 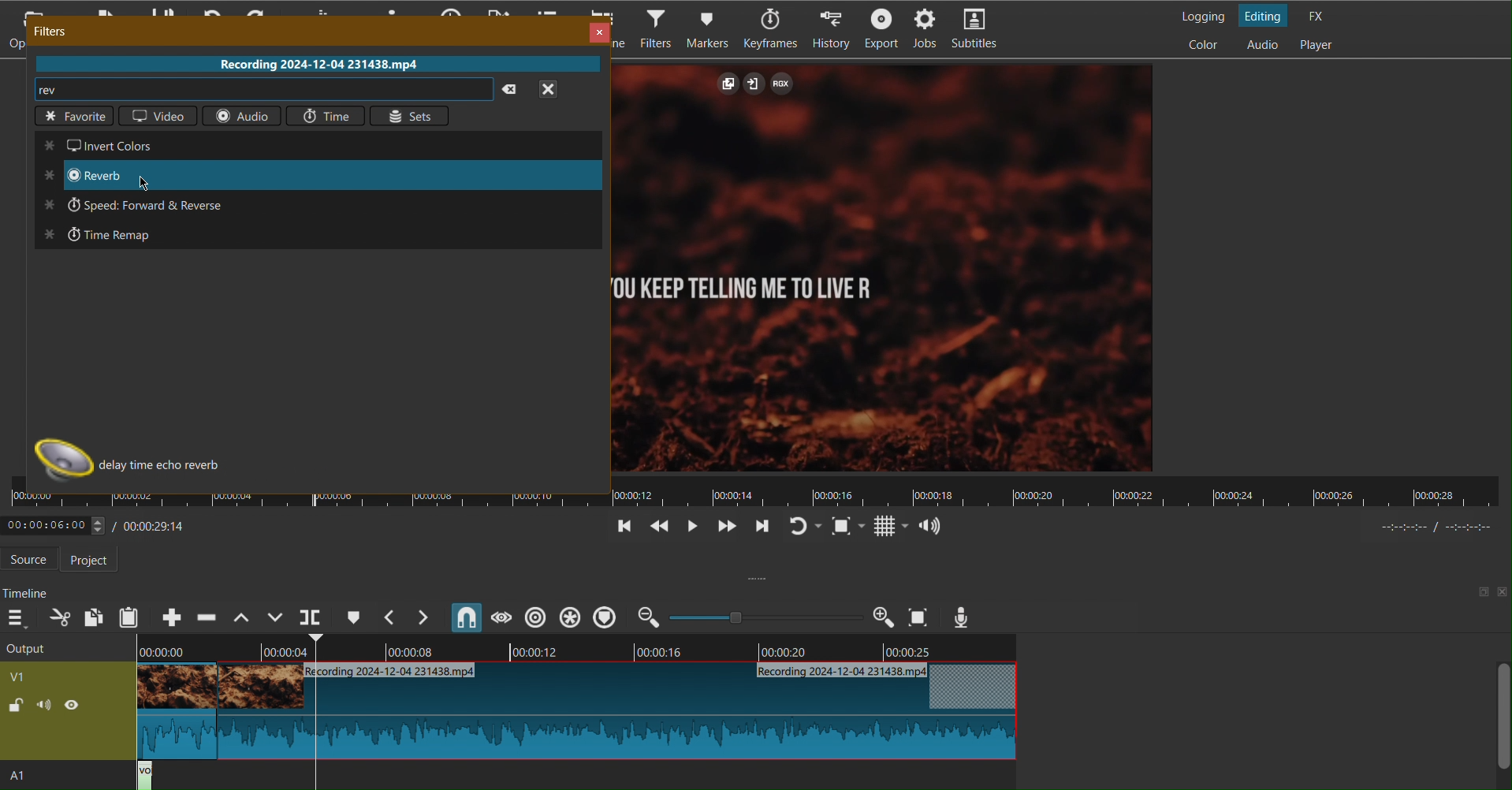 I want to click on Reverb, so click(x=96, y=177).